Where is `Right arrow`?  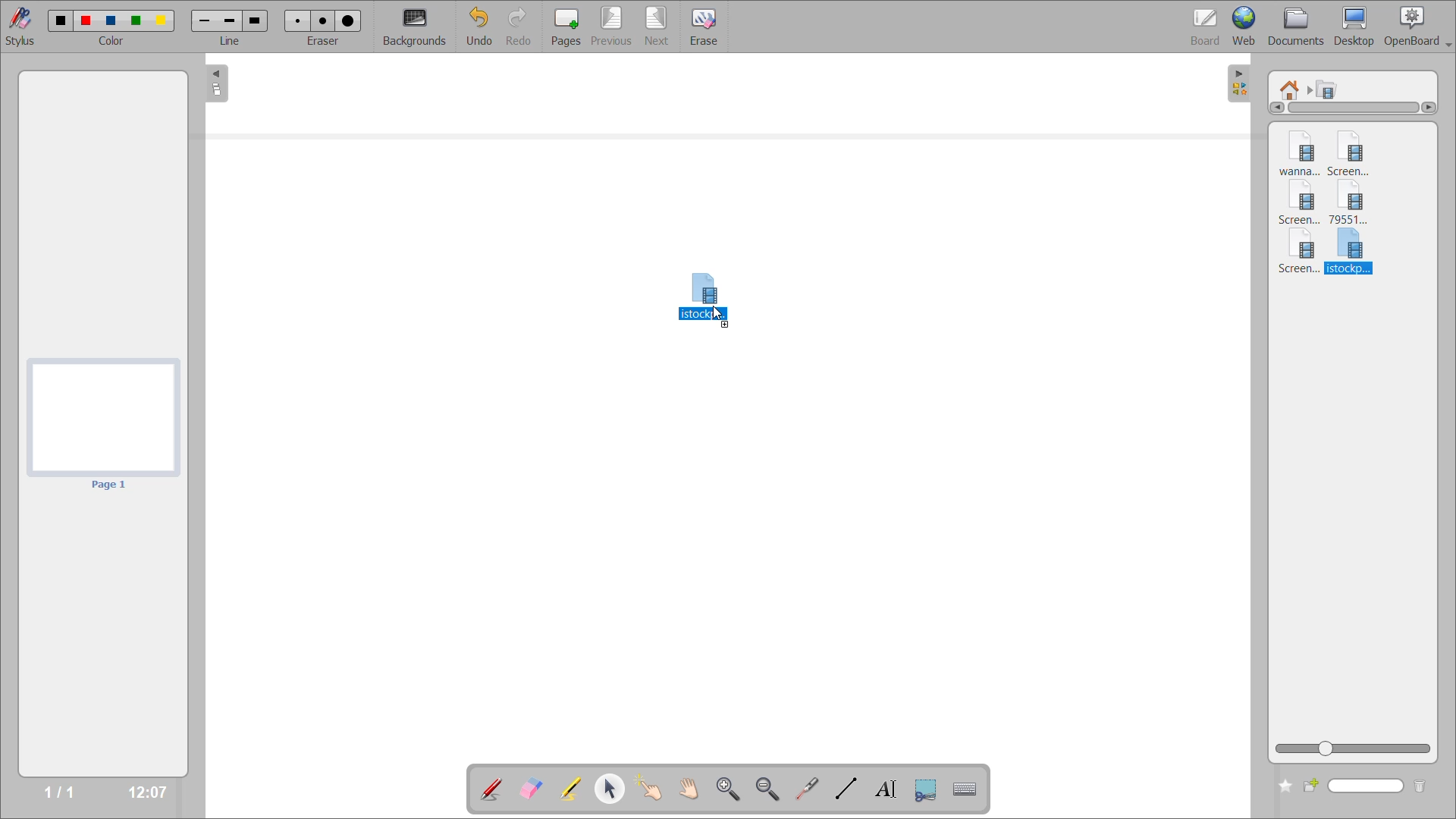 Right arrow is located at coordinates (1429, 108).